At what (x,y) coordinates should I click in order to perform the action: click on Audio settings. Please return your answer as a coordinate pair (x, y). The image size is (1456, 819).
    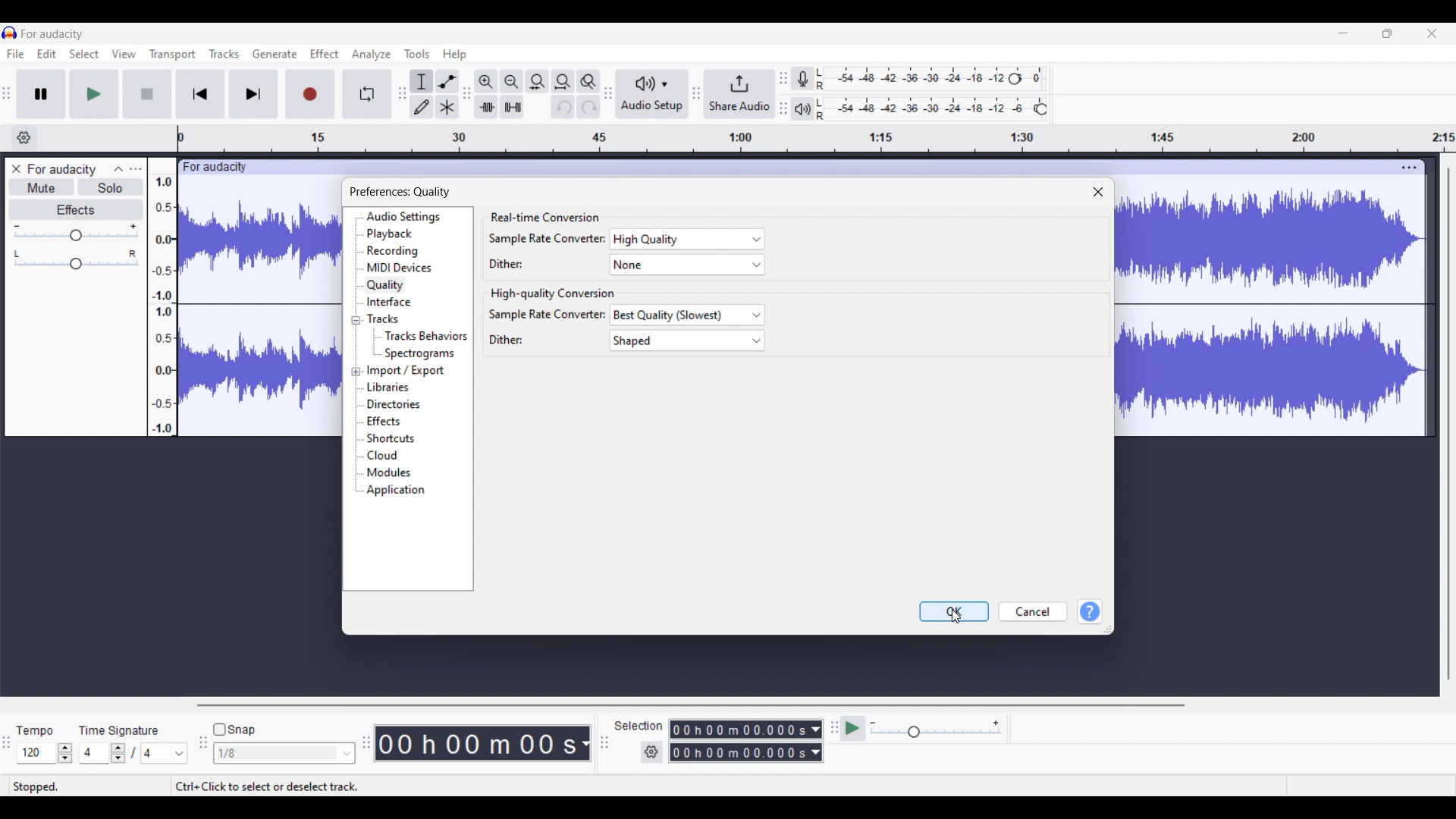
    Looking at the image, I should click on (403, 217).